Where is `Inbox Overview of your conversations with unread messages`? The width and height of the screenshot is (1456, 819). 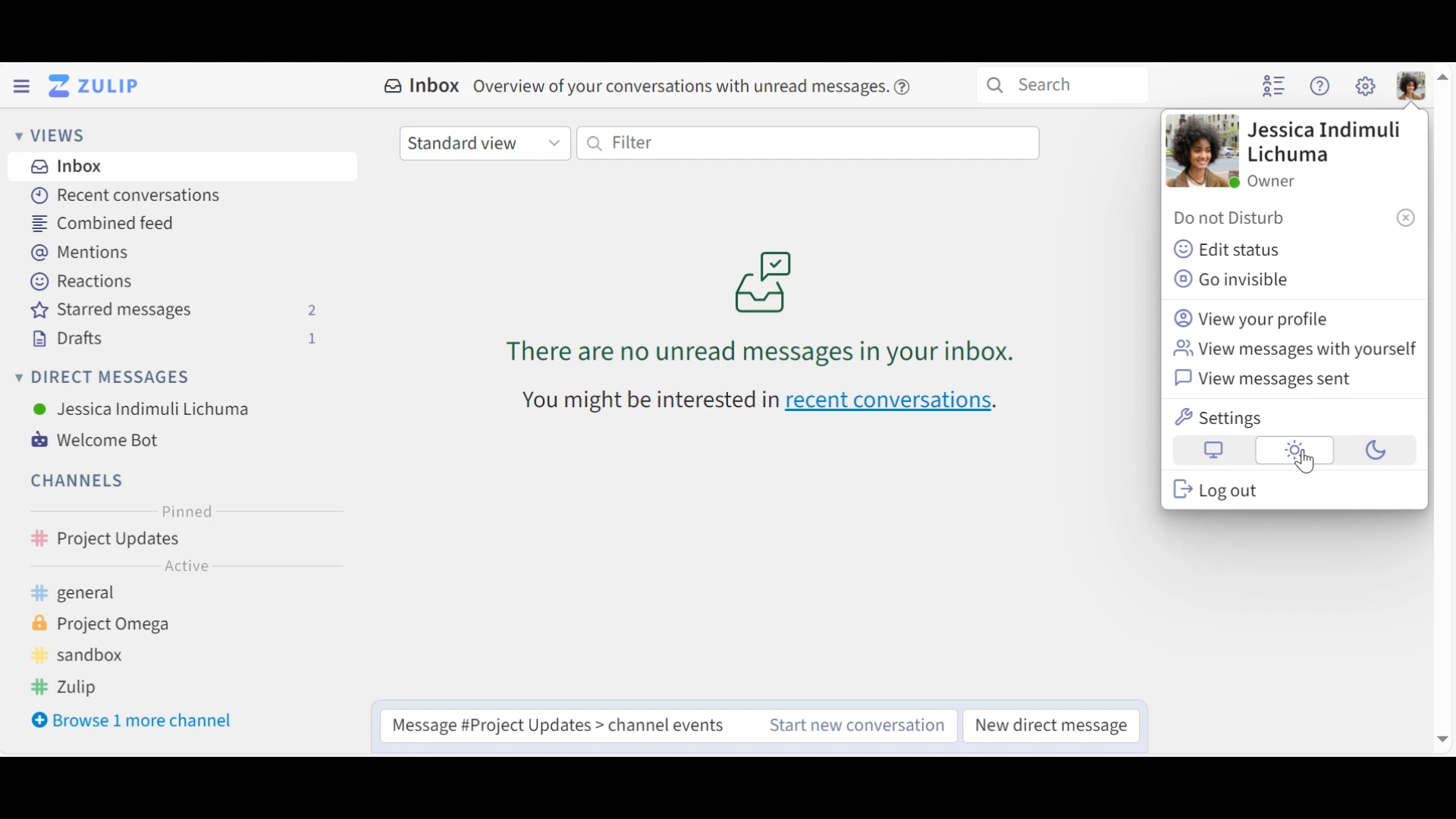 Inbox Overview of your conversations with unread messages is located at coordinates (632, 84).